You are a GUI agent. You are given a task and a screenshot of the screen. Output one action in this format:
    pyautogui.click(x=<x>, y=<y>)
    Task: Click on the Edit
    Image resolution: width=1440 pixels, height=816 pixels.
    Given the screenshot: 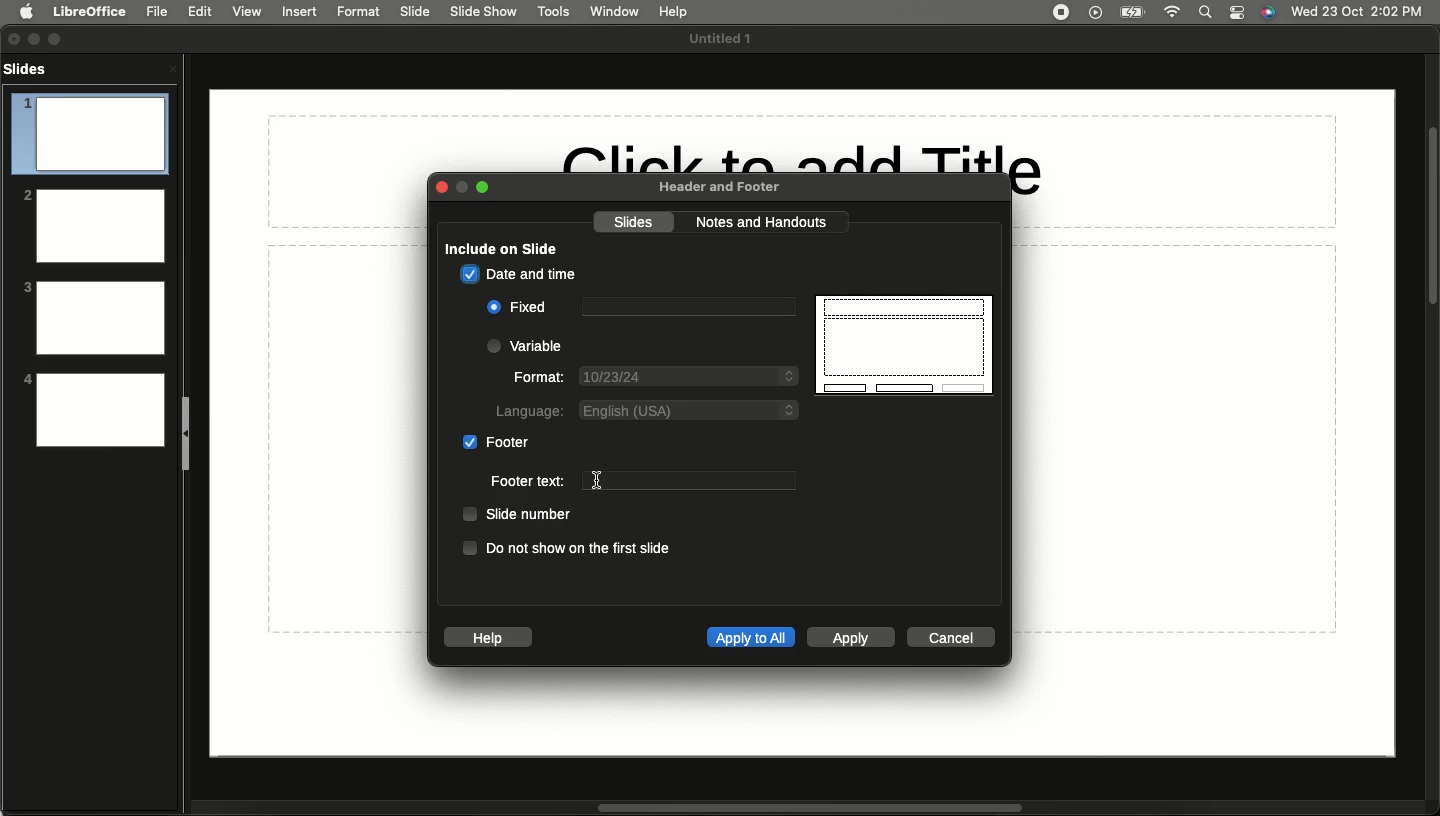 What is the action you would take?
    pyautogui.click(x=199, y=12)
    